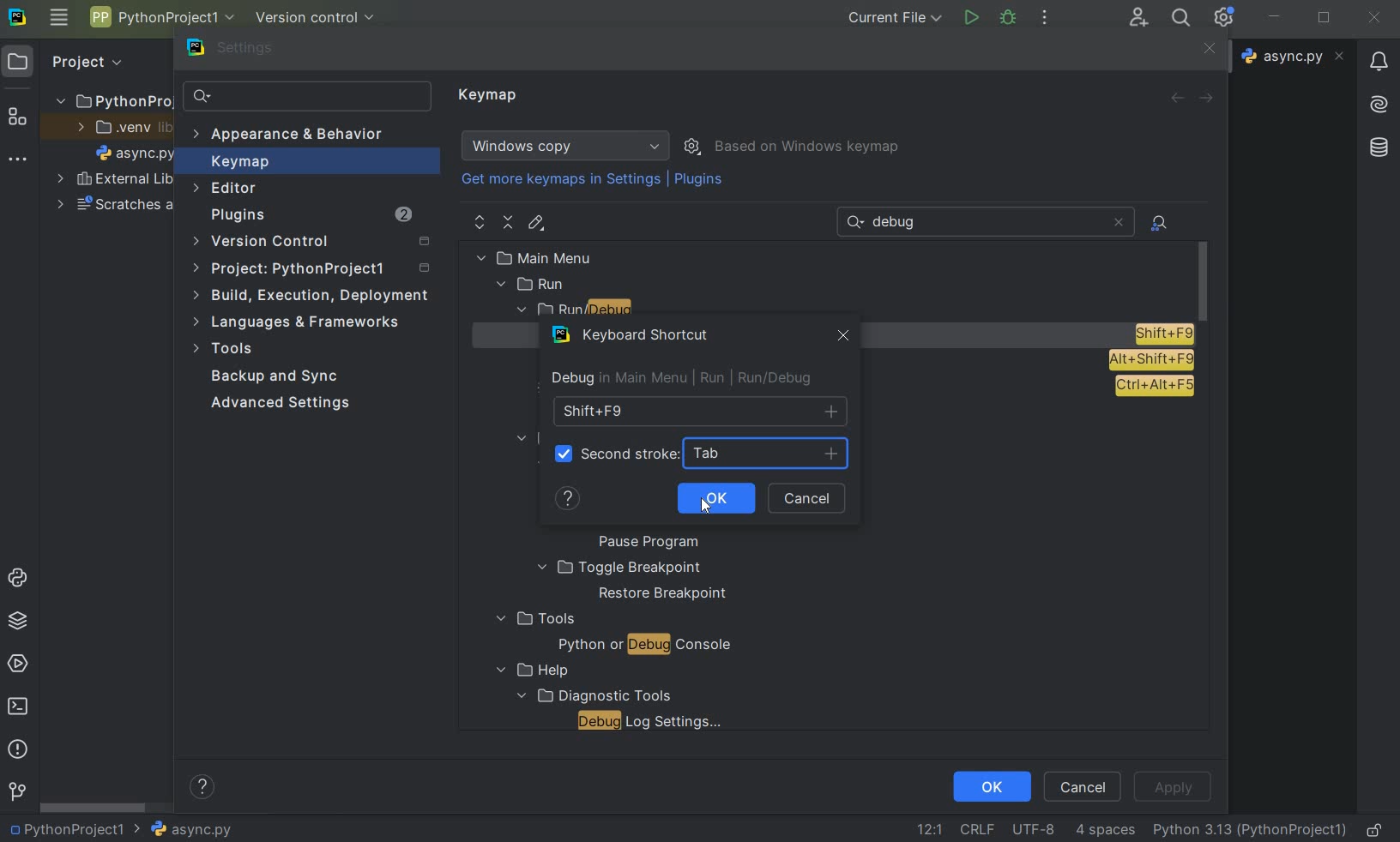  Describe the element at coordinates (564, 453) in the screenshot. I see `checkbox` at that location.